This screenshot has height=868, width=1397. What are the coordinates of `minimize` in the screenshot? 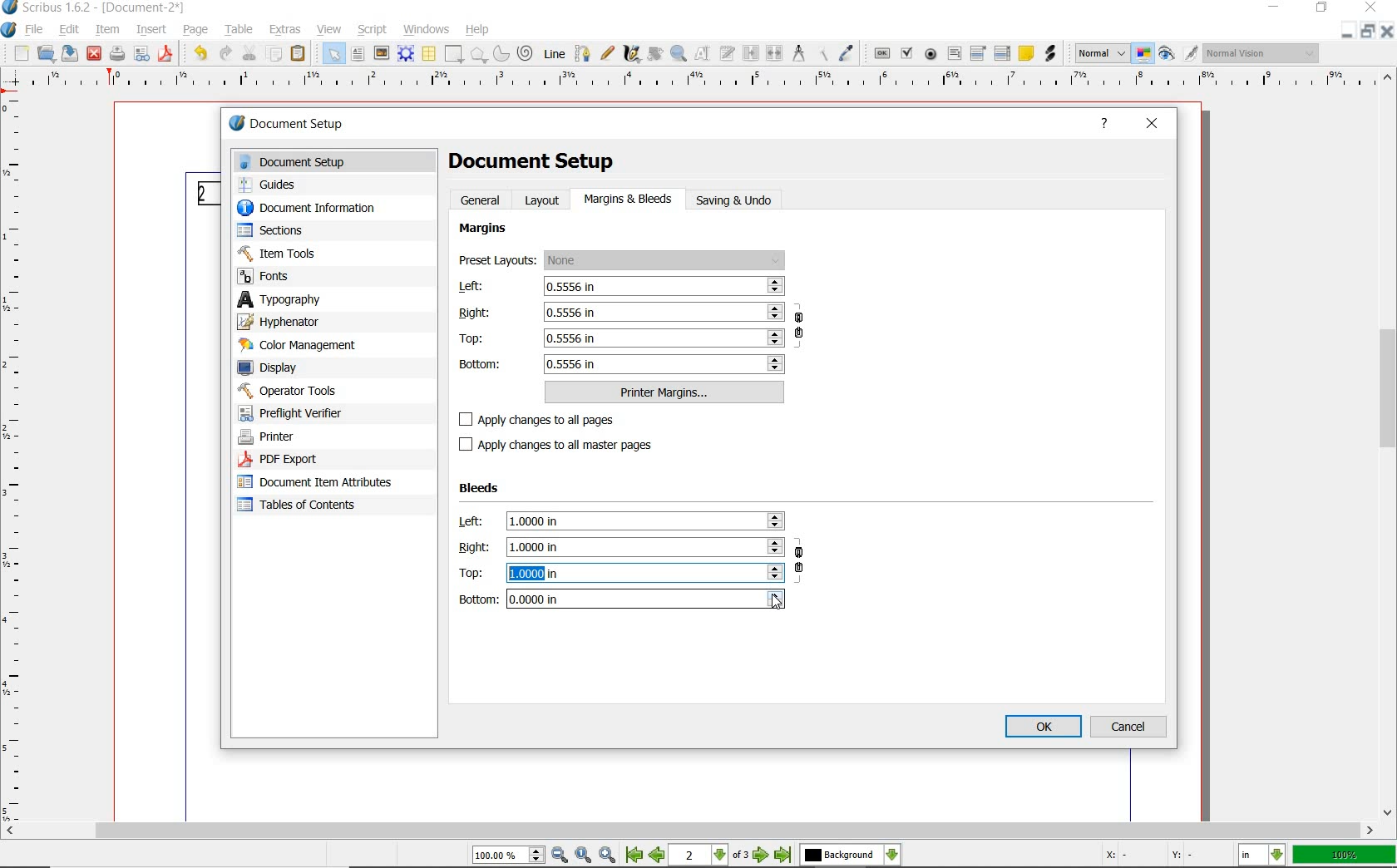 It's located at (1271, 7).